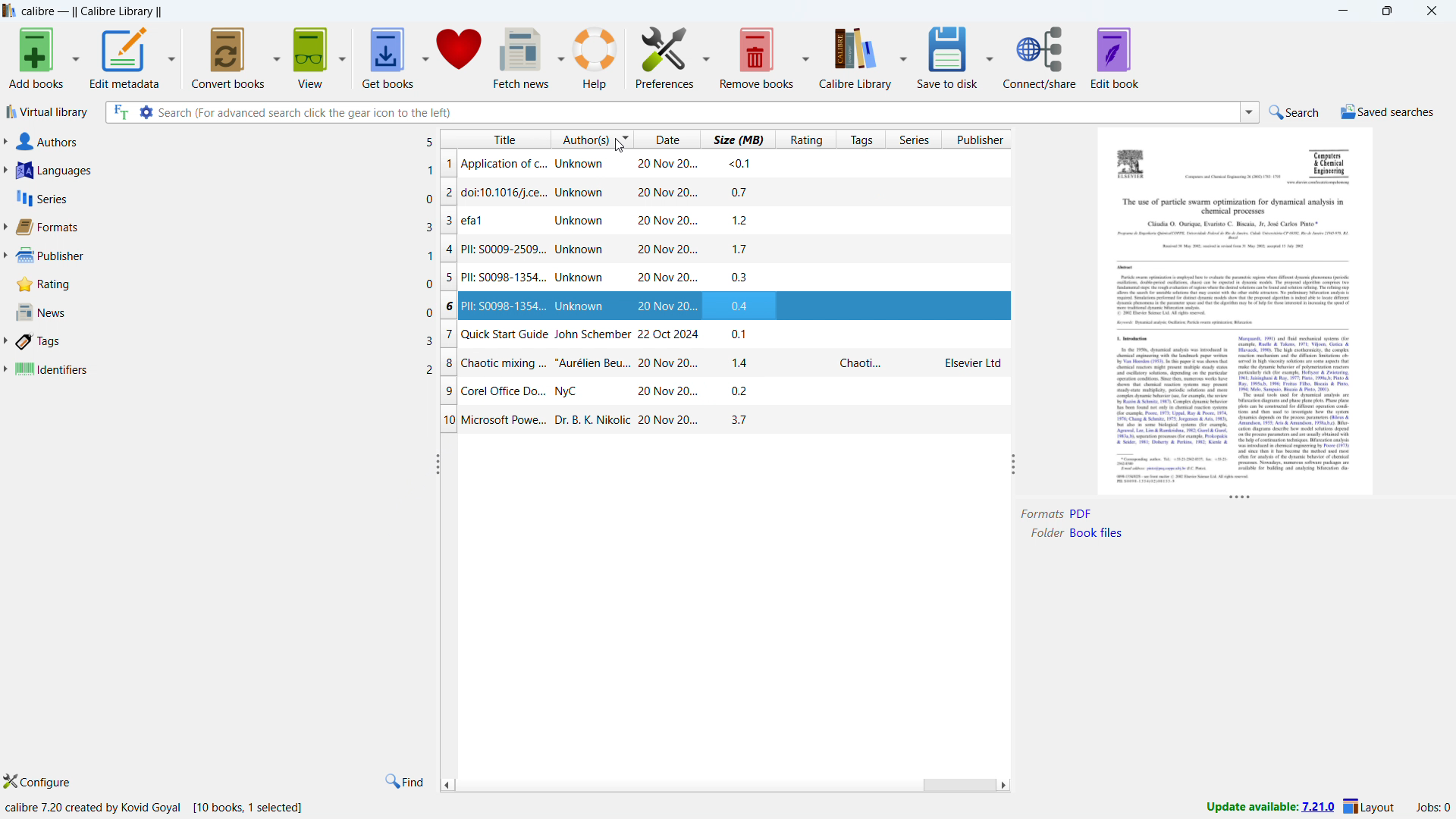 This screenshot has height=819, width=1456. What do you see at coordinates (1432, 806) in the screenshot?
I see `active jobs` at bounding box center [1432, 806].